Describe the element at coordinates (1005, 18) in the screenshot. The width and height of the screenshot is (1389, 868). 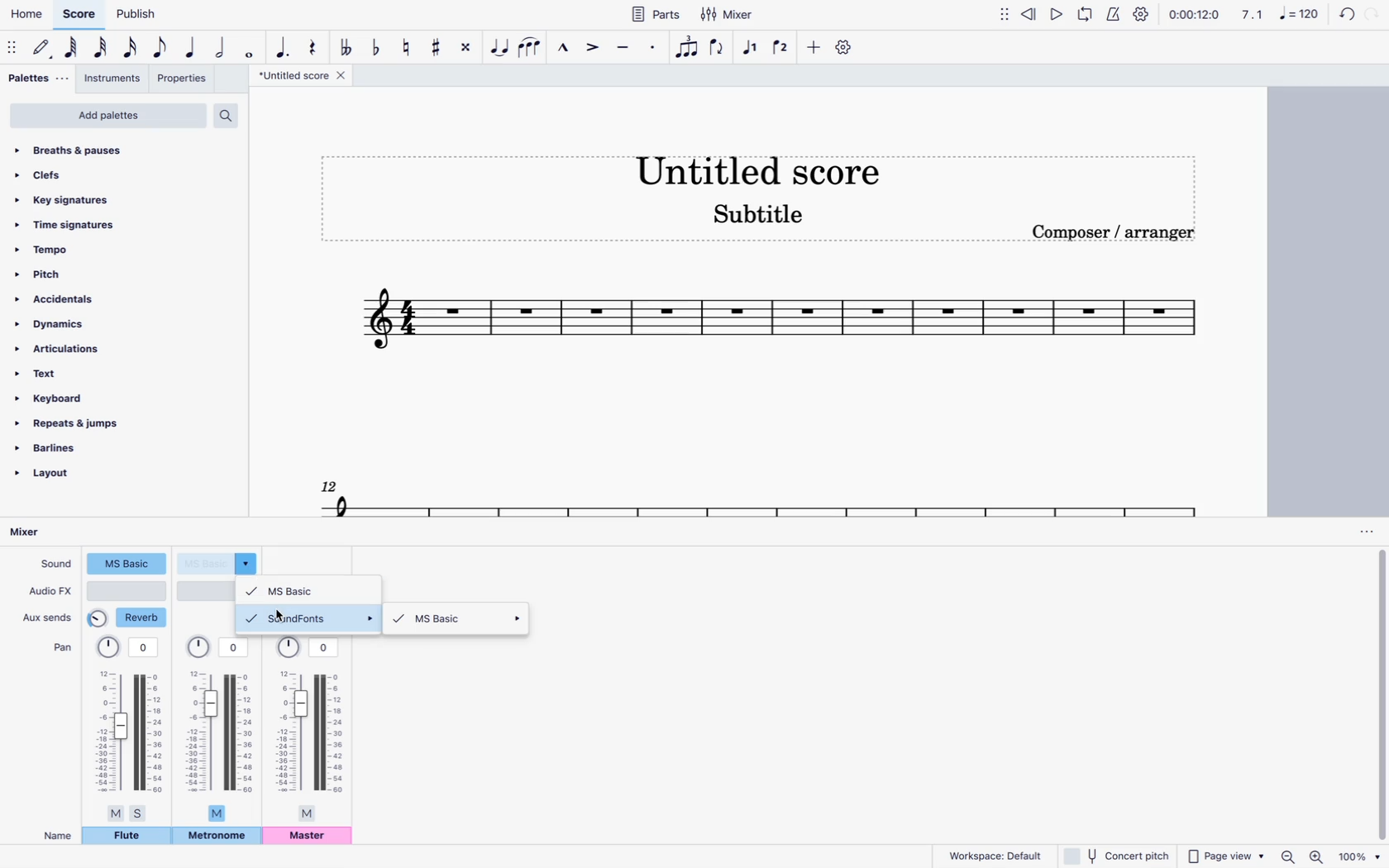
I see `move` at that location.